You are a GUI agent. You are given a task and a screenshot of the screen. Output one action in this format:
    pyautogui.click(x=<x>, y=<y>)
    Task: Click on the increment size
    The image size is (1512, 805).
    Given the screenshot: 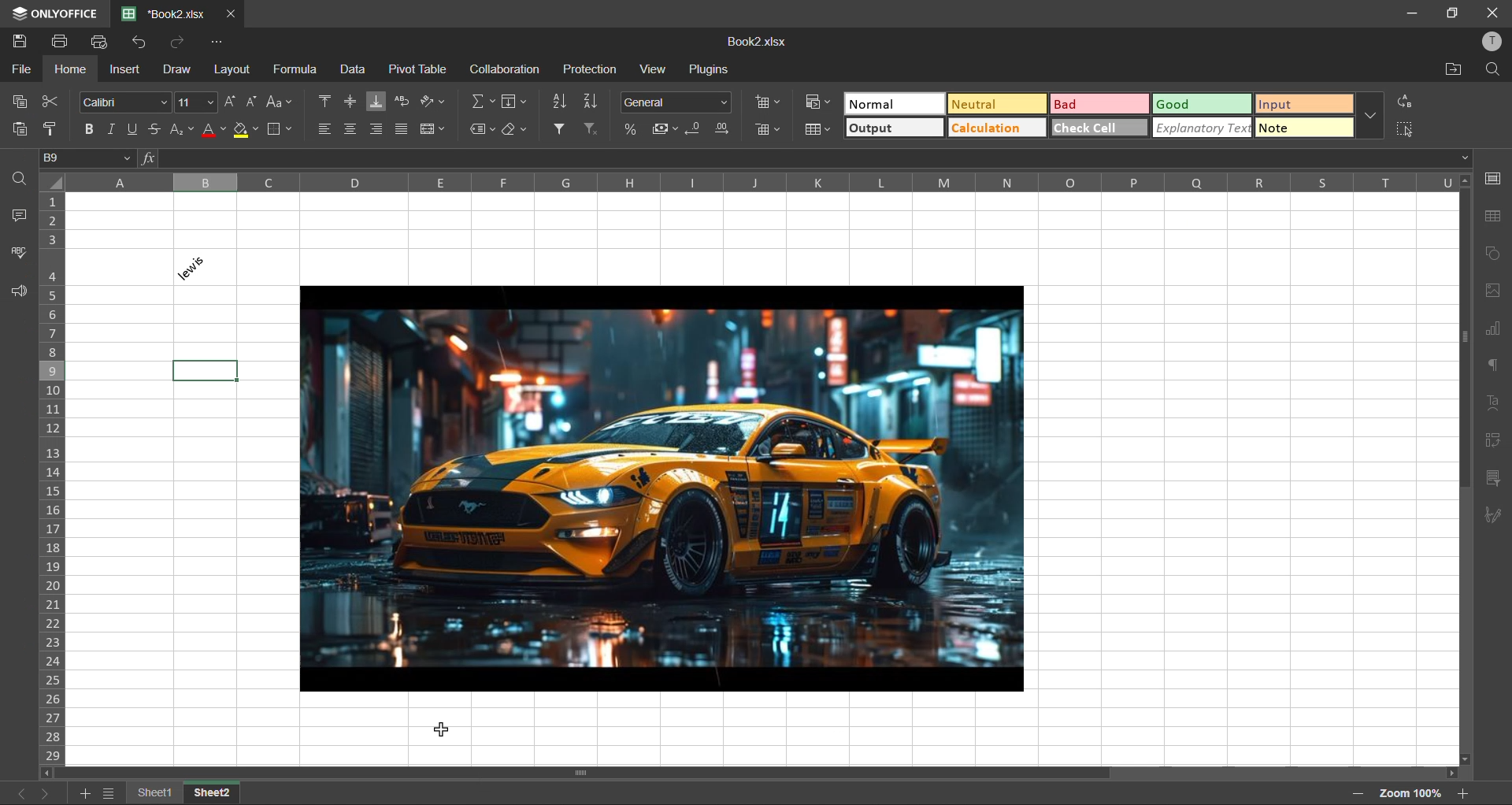 What is the action you would take?
    pyautogui.click(x=232, y=102)
    